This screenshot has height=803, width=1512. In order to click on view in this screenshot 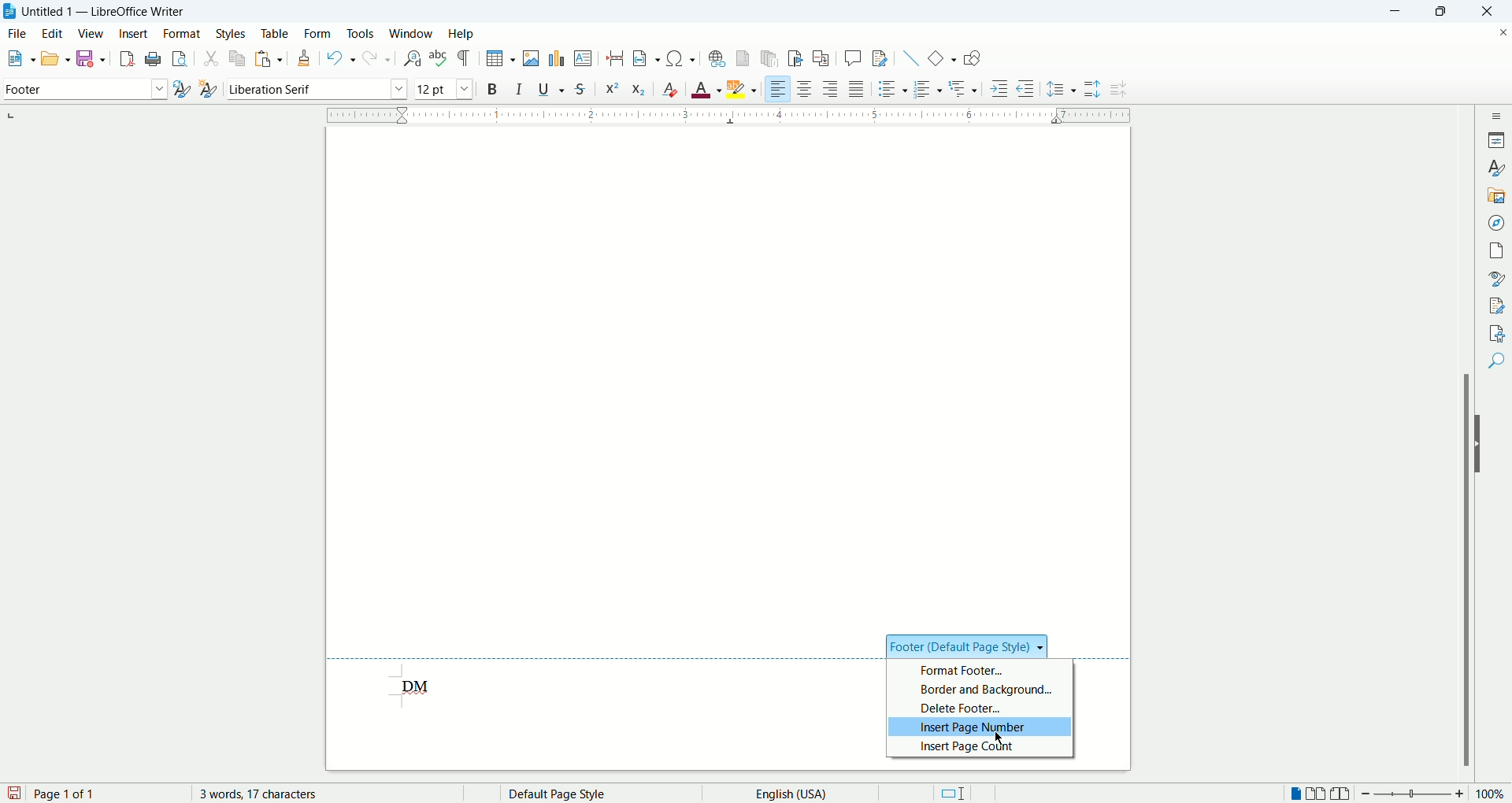, I will do `click(92, 34)`.